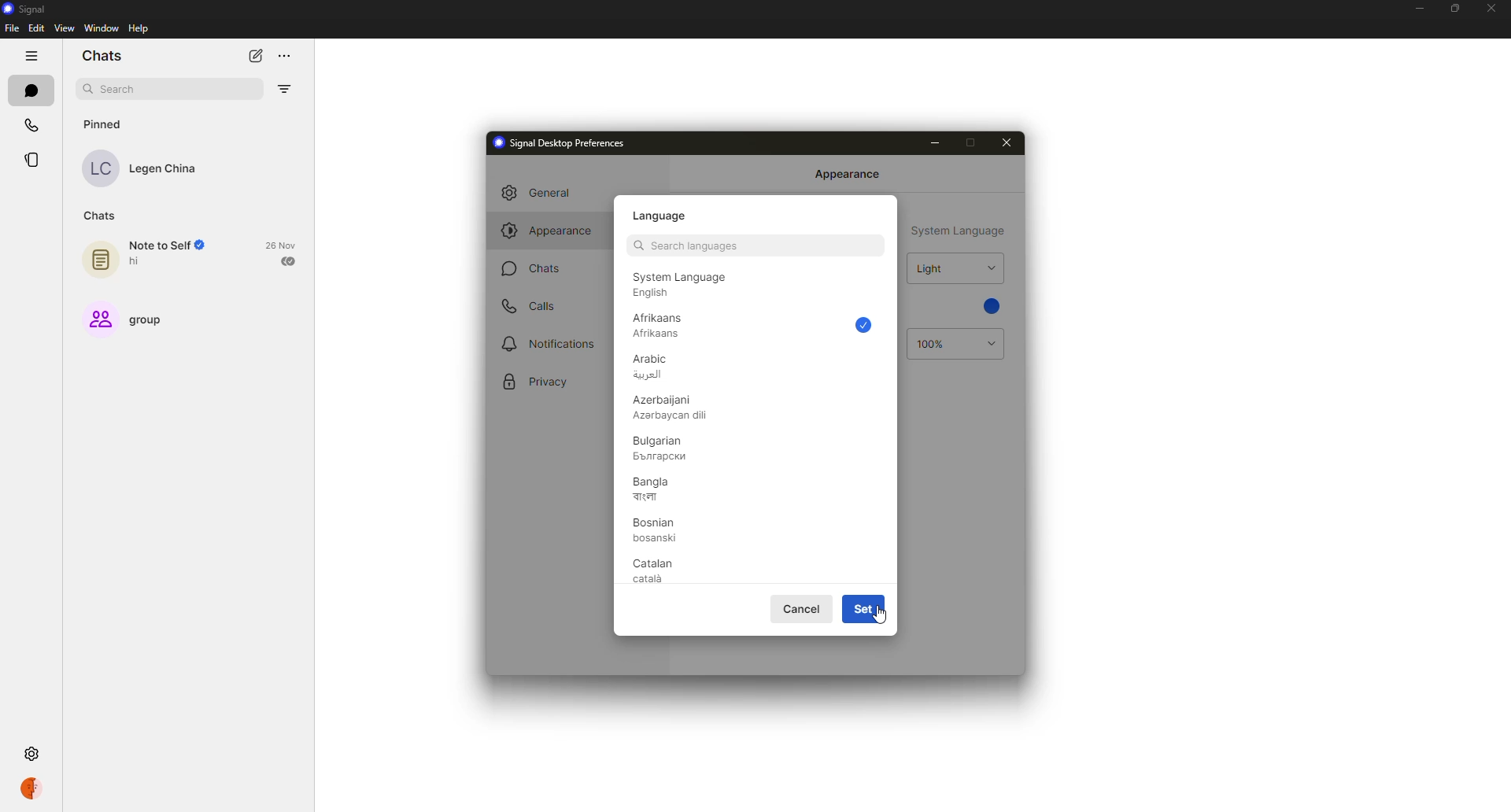  I want to click on minimize, so click(933, 142).